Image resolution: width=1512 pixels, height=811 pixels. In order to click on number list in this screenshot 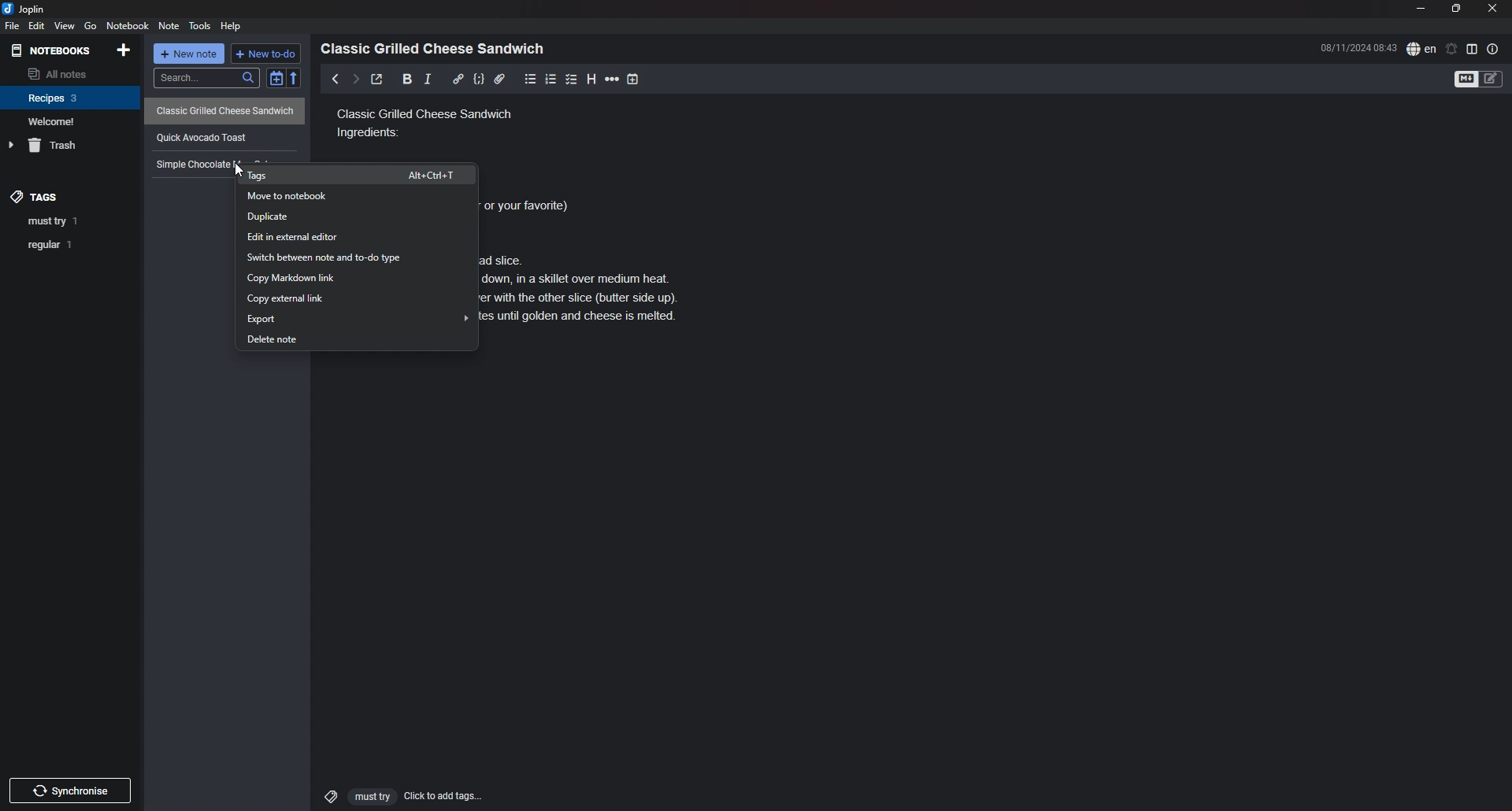, I will do `click(551, 79)`.